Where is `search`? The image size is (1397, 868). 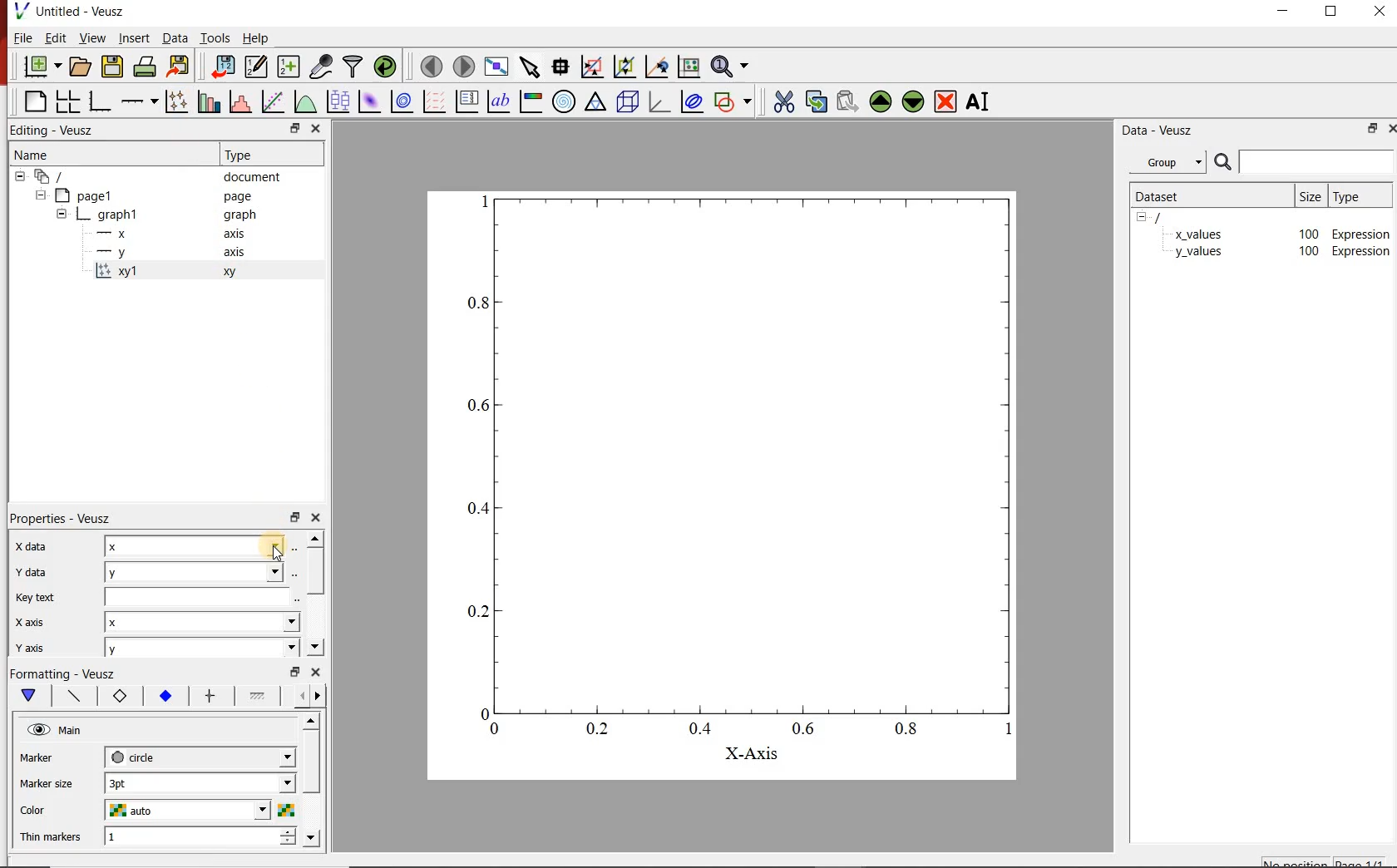 search is located at coordinates (1221, 162).